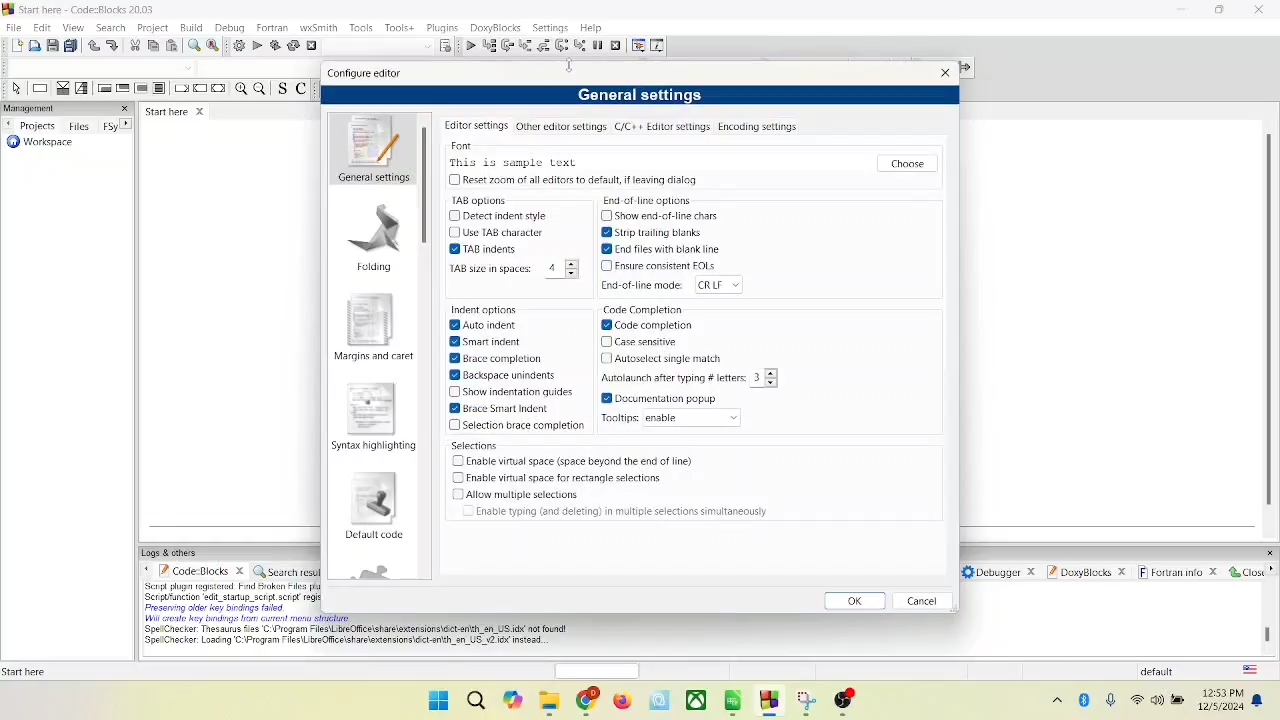 The width and height of the screenshot is (1280, 720). Describe the element at coordinates (569, 181) in the screenshot. I see `reset zoom` at that location.